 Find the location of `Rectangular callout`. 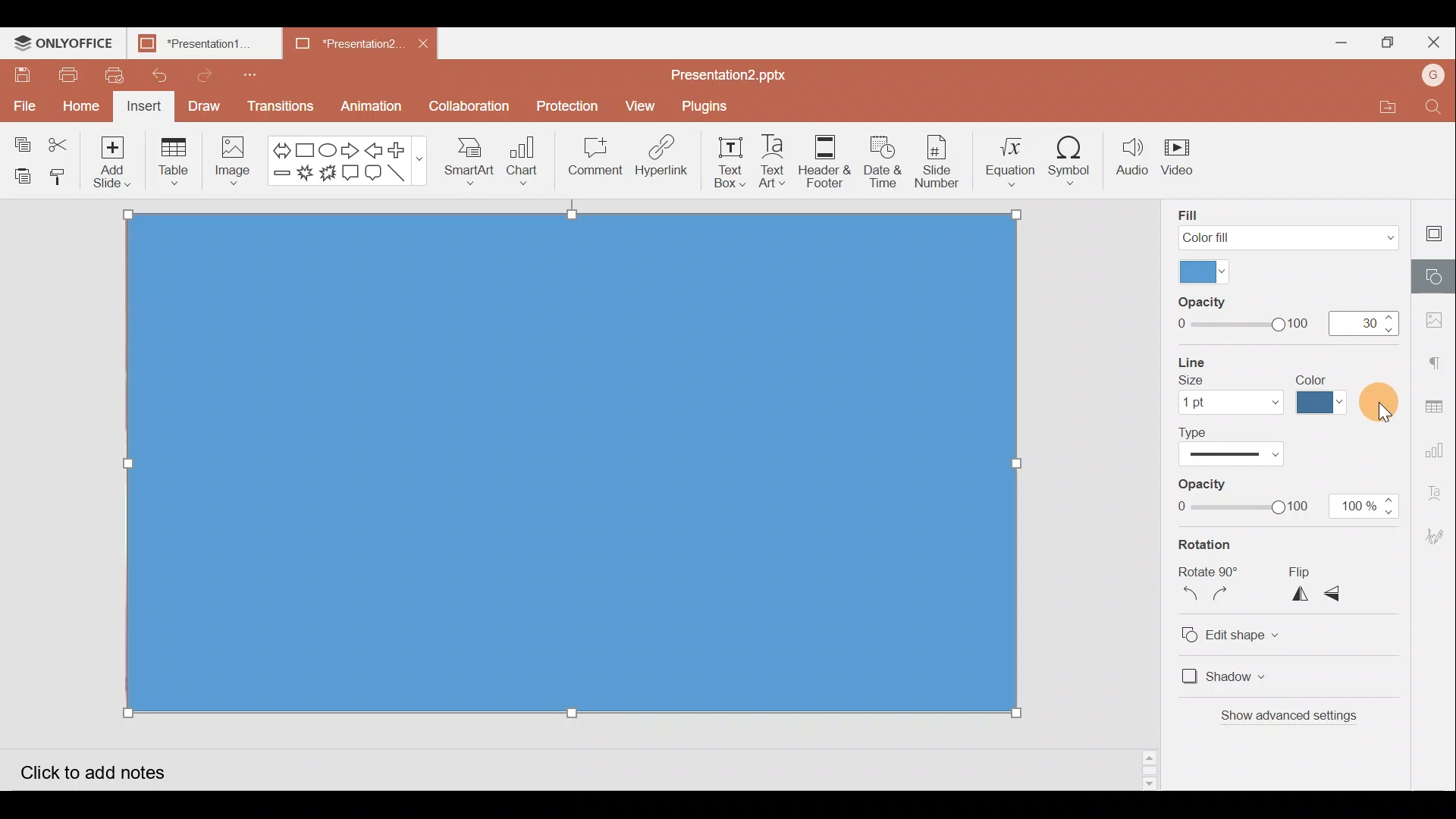

Rectangular callout is located at coordinates (352, 173).